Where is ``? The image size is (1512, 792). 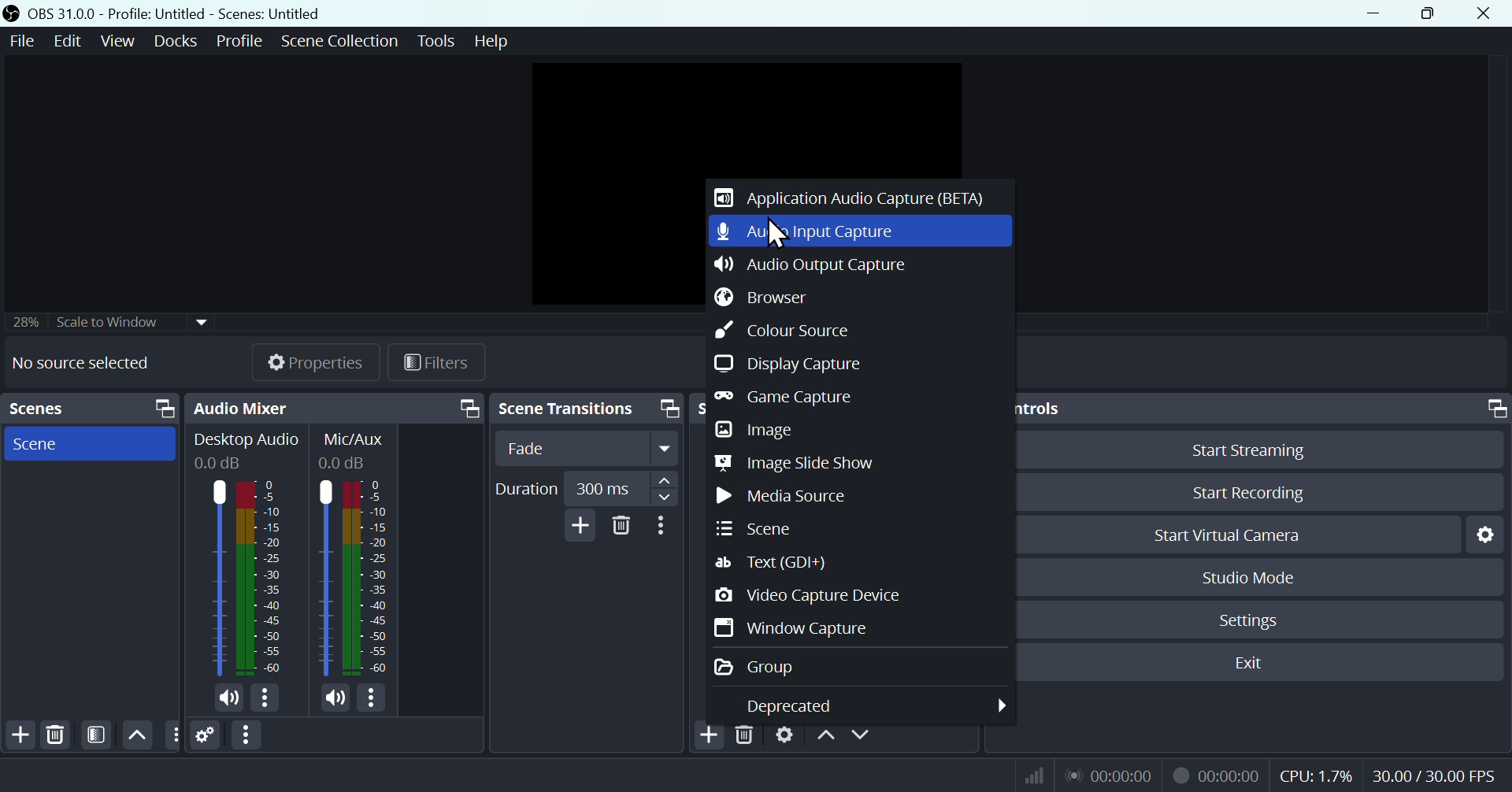
 is located at coordinates (774, 299).